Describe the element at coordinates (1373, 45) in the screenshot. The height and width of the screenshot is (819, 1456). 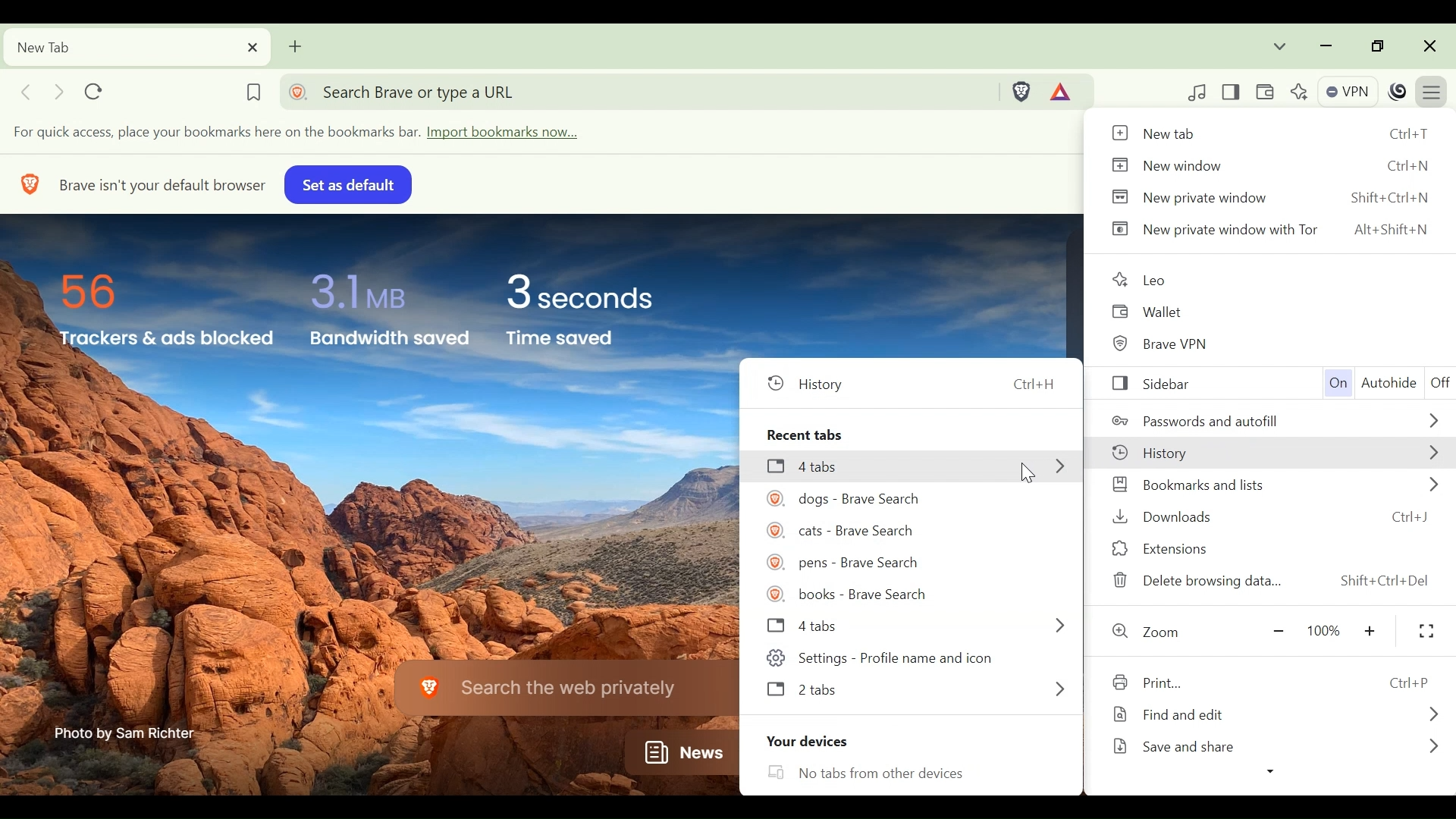
I see `restore` at that location.